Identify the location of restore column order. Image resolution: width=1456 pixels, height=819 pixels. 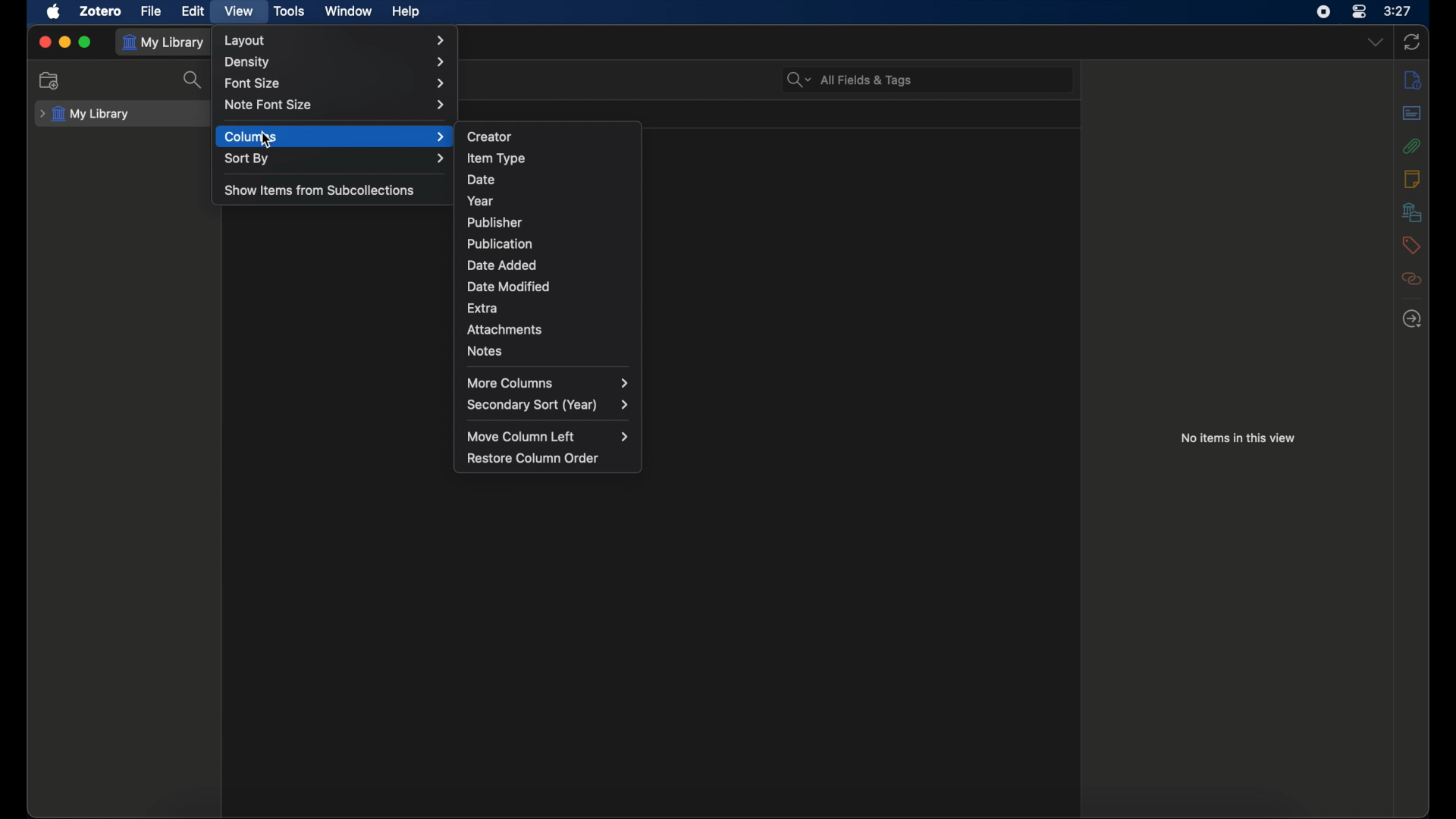
(534, 459).